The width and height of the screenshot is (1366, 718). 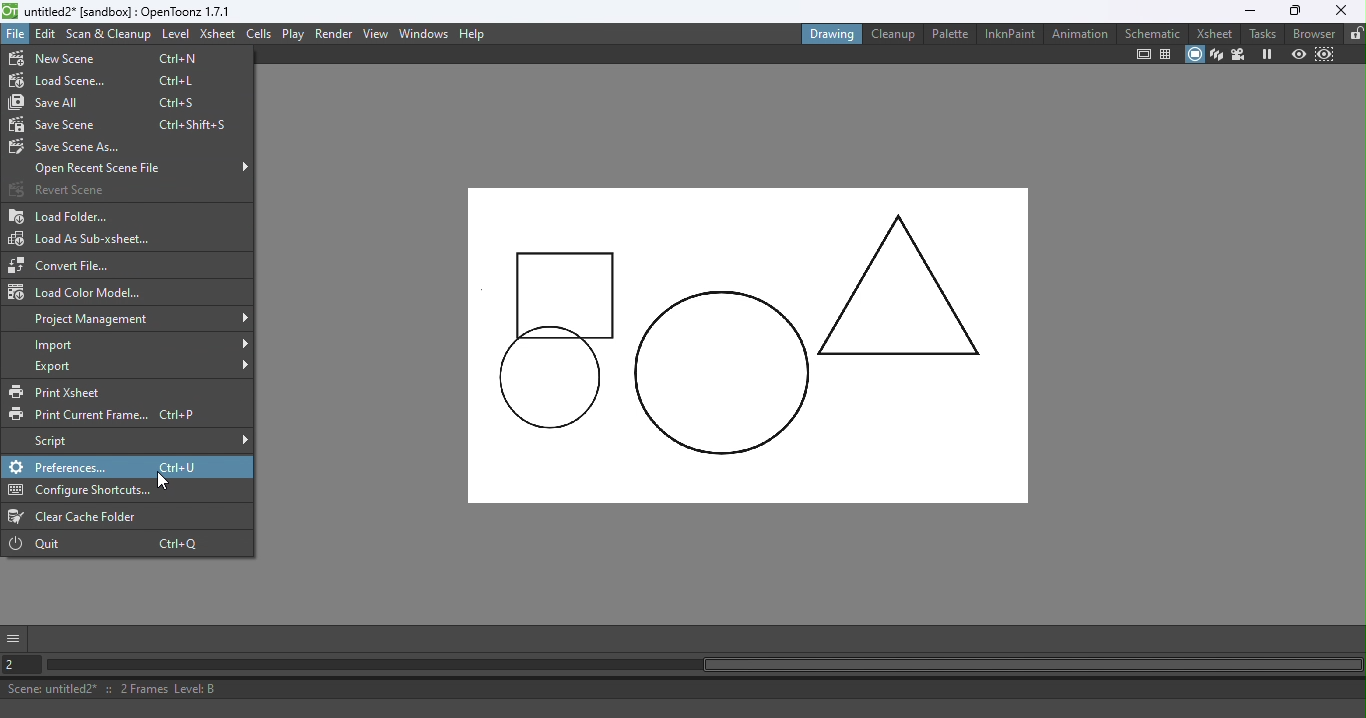 What do you see at coordinates (72, 517) in the screenshot?
I see `Clear cache folder` at bounding box center [72, 517].